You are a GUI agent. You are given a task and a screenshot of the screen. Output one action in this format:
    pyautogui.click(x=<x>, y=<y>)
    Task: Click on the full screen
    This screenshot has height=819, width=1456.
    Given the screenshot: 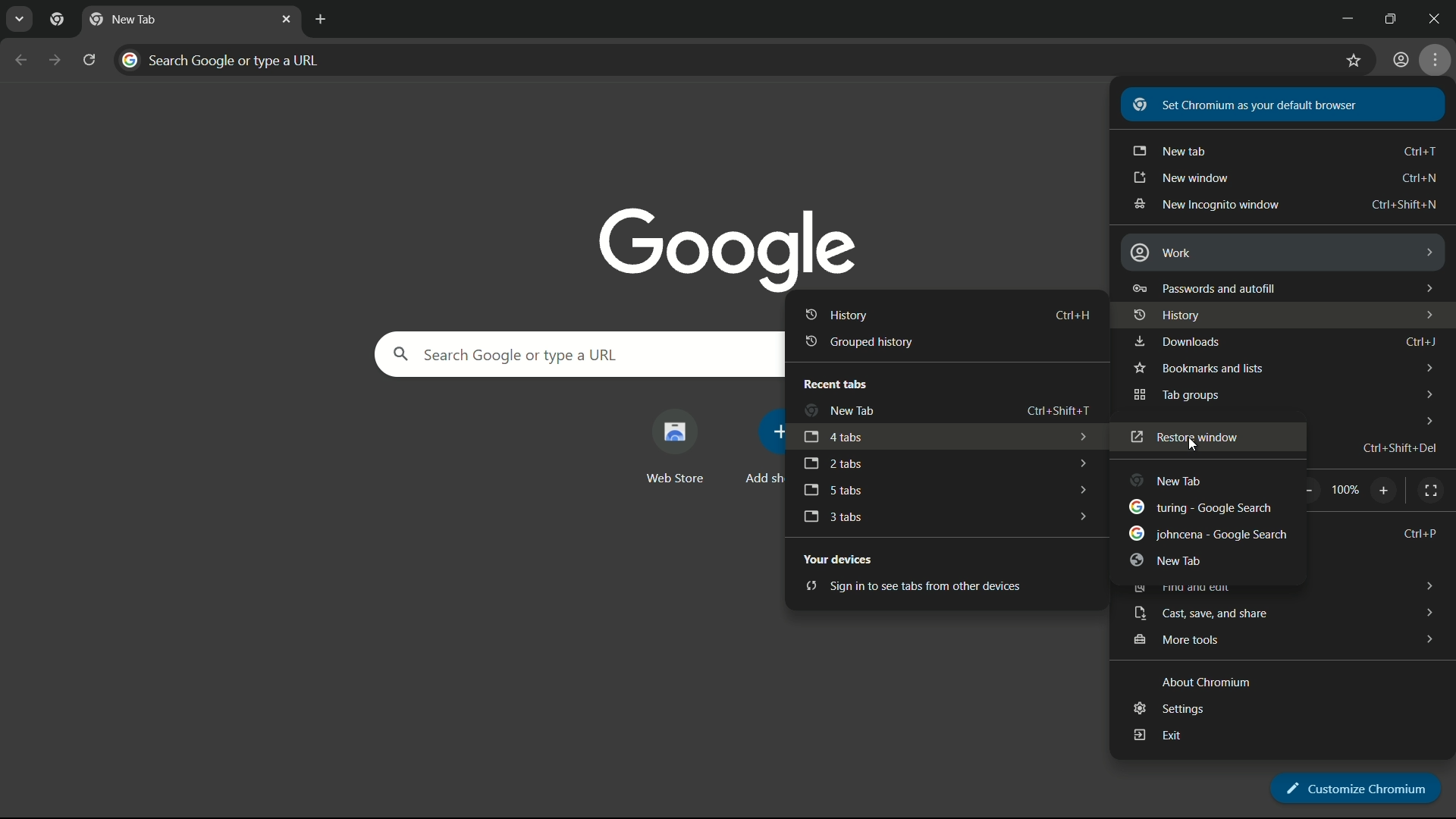 What is the action you would take?
    pyautogui.click(x=1430, y=490)
    